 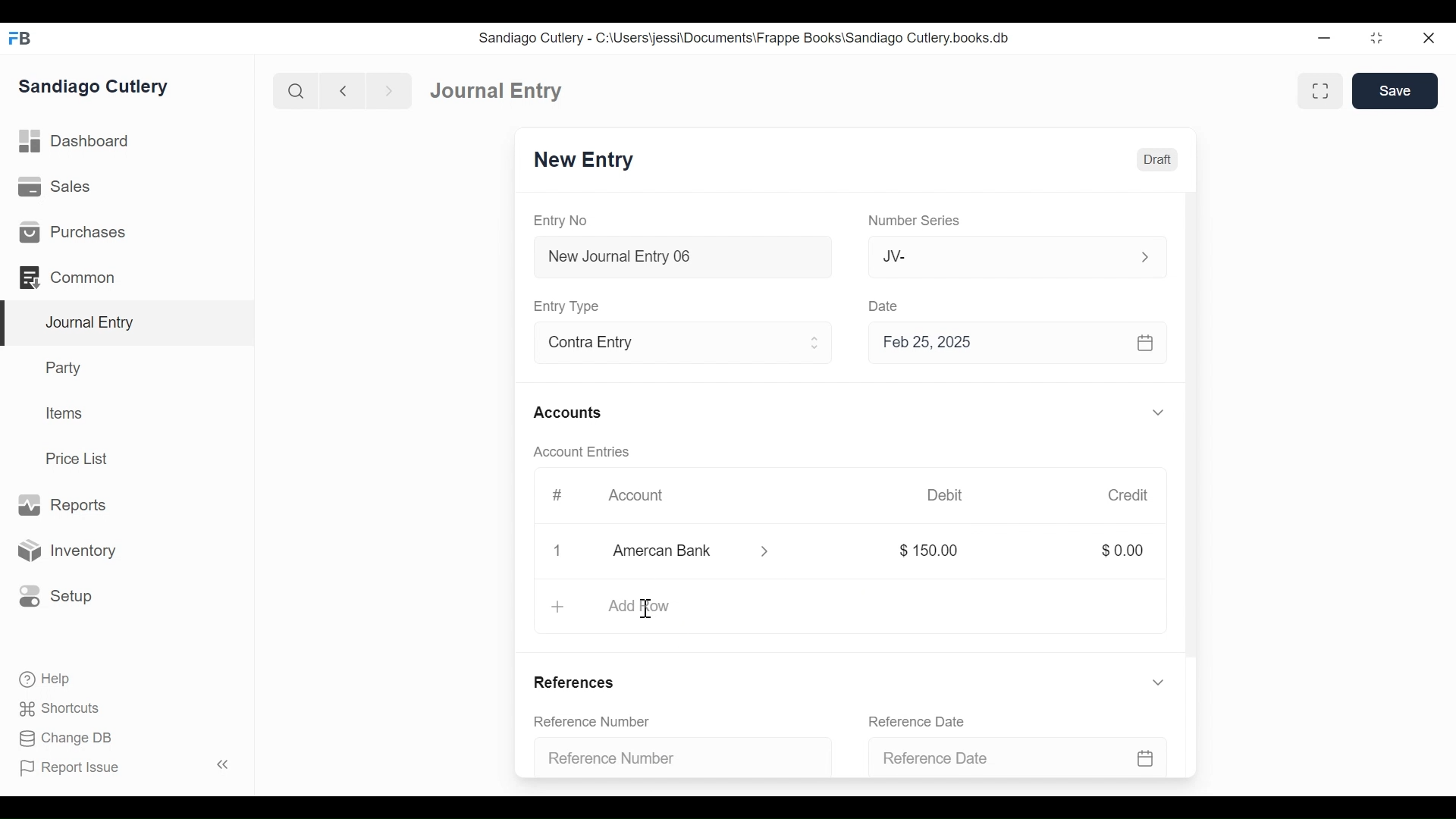 What do you see at coordinates (561, 550) in the screenshot?
I see `close` at bounding box center [561, 550].